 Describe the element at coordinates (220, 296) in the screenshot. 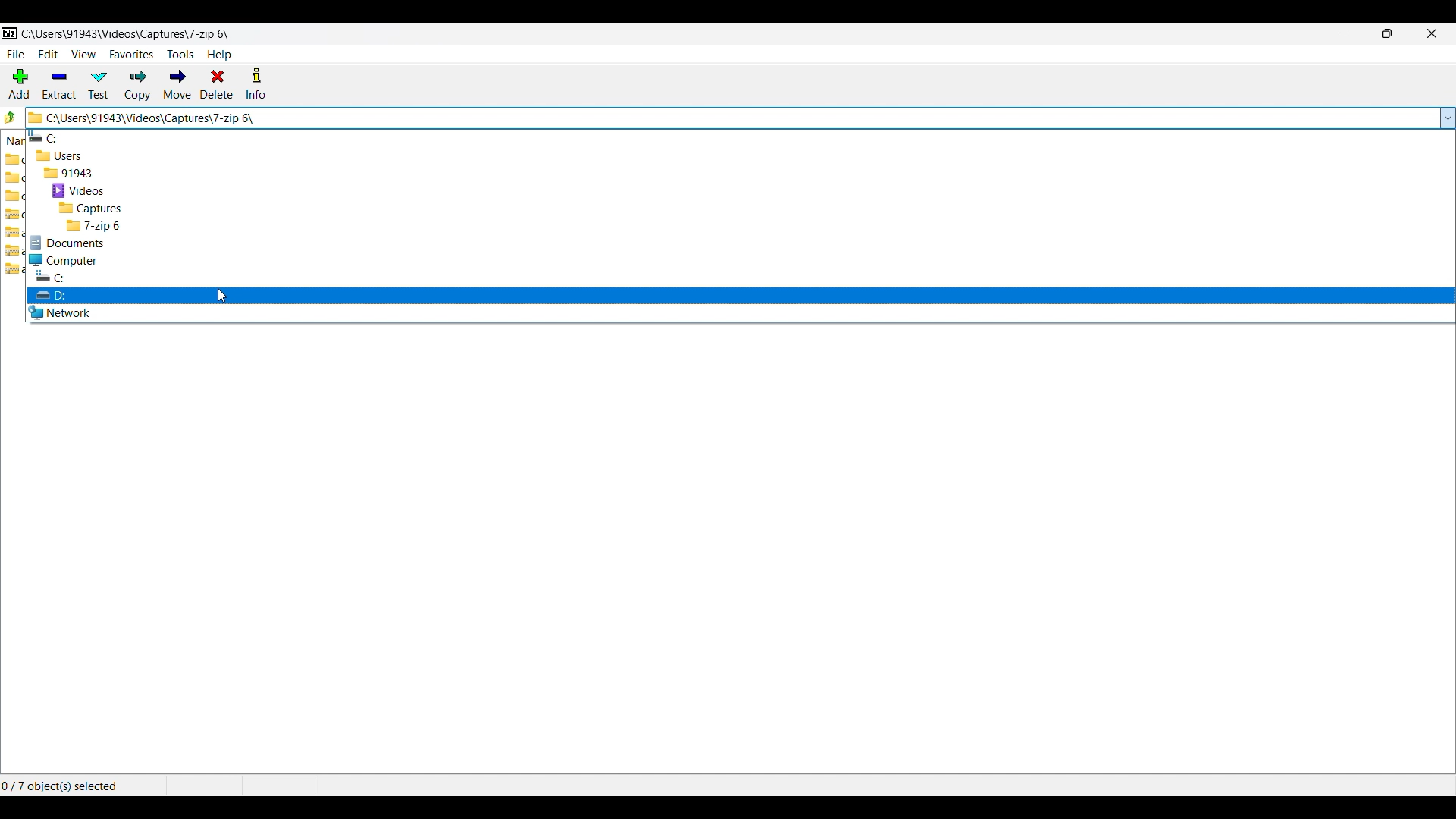

I see `cursor` at that location.